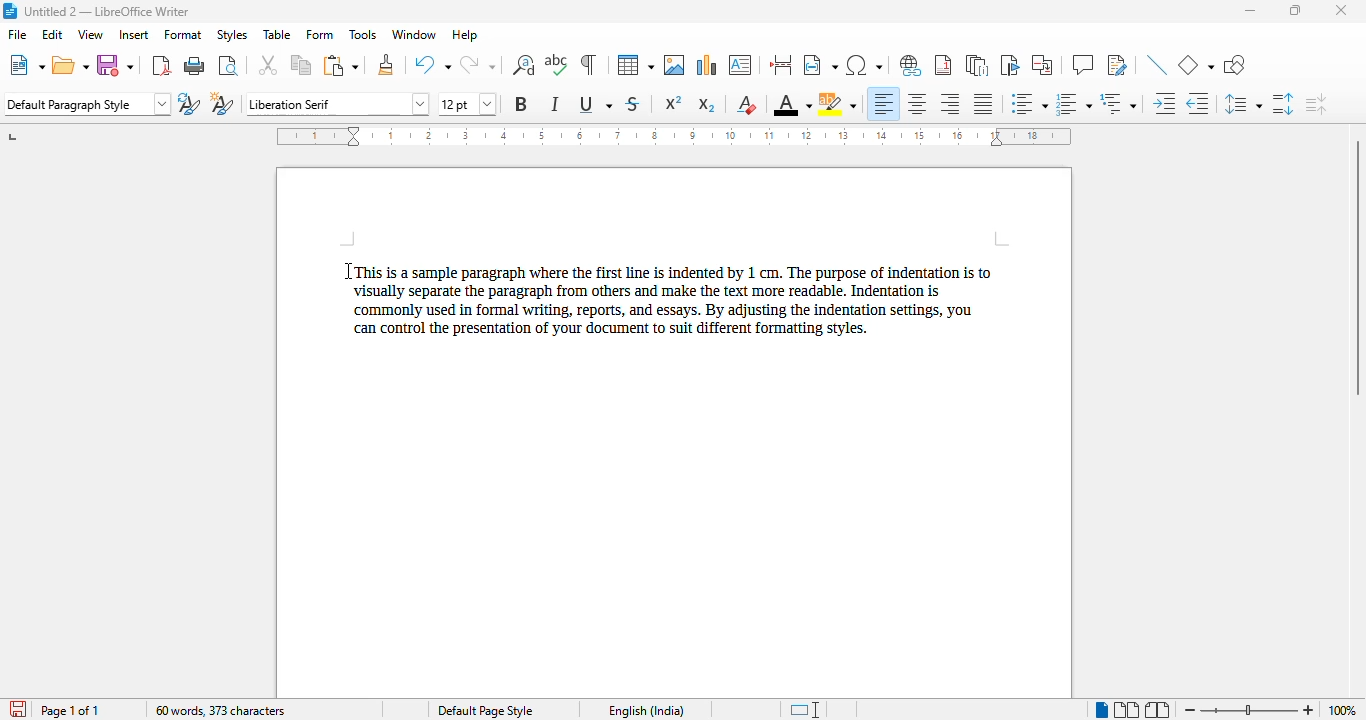 This screenshot has width=1366, height=720. Describe the element at coordinates (1156, 710) in the screenshot. I see `book view` at that location.